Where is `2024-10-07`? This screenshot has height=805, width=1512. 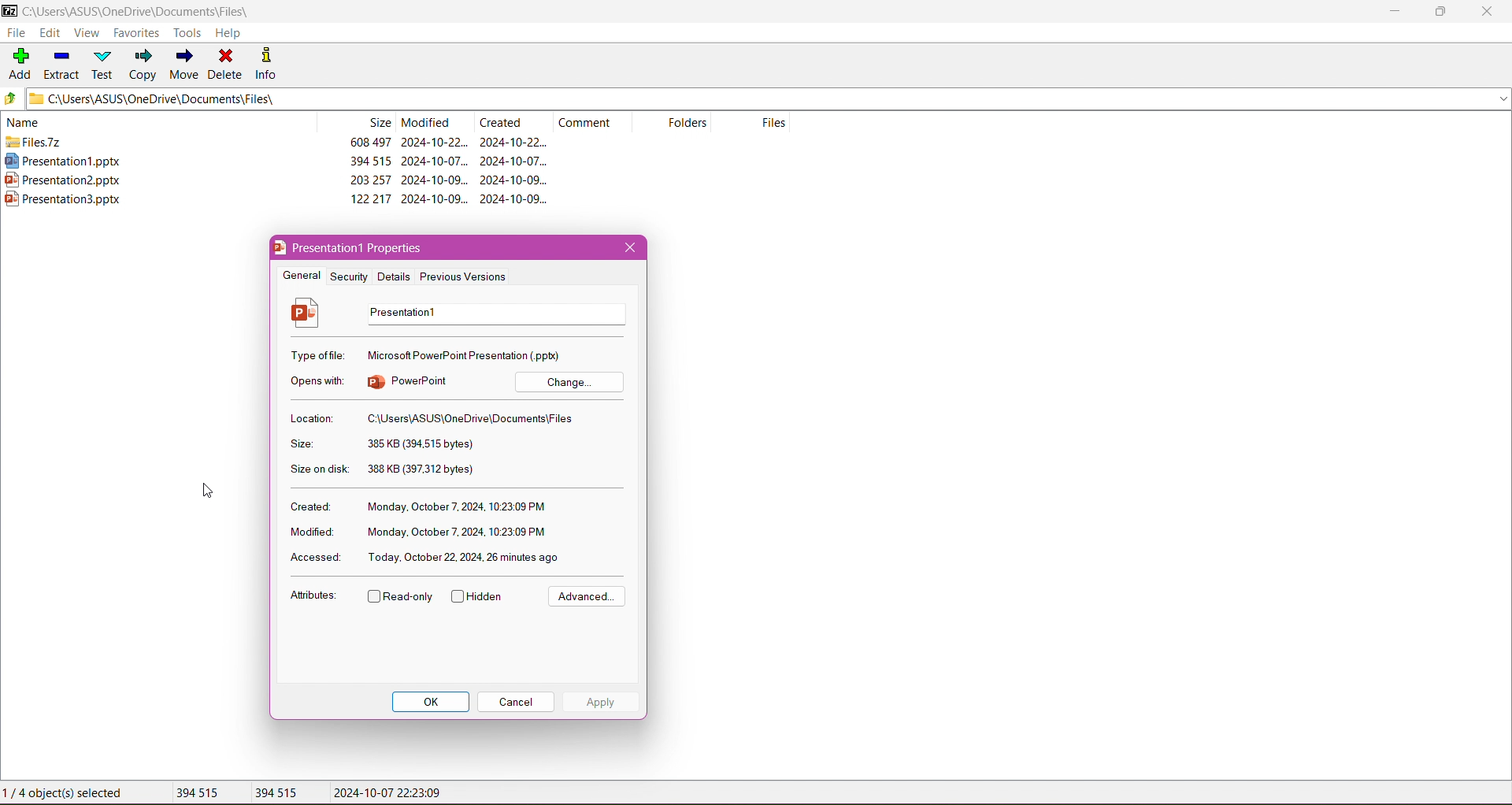
2024-10-07 is located at coordinates (513, 161).